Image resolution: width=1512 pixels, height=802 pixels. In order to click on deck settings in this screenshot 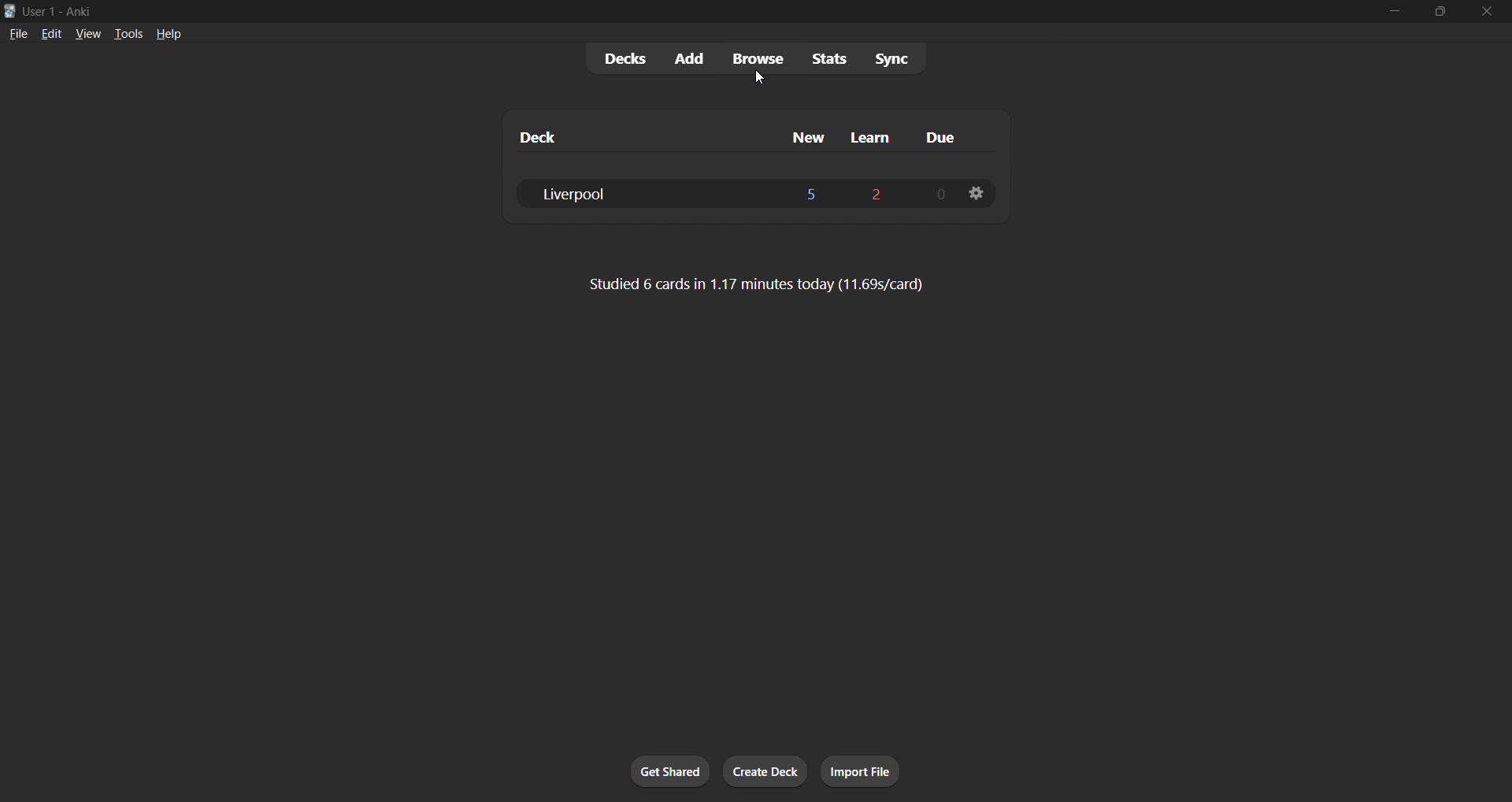, I will do `click(974, 195)`.